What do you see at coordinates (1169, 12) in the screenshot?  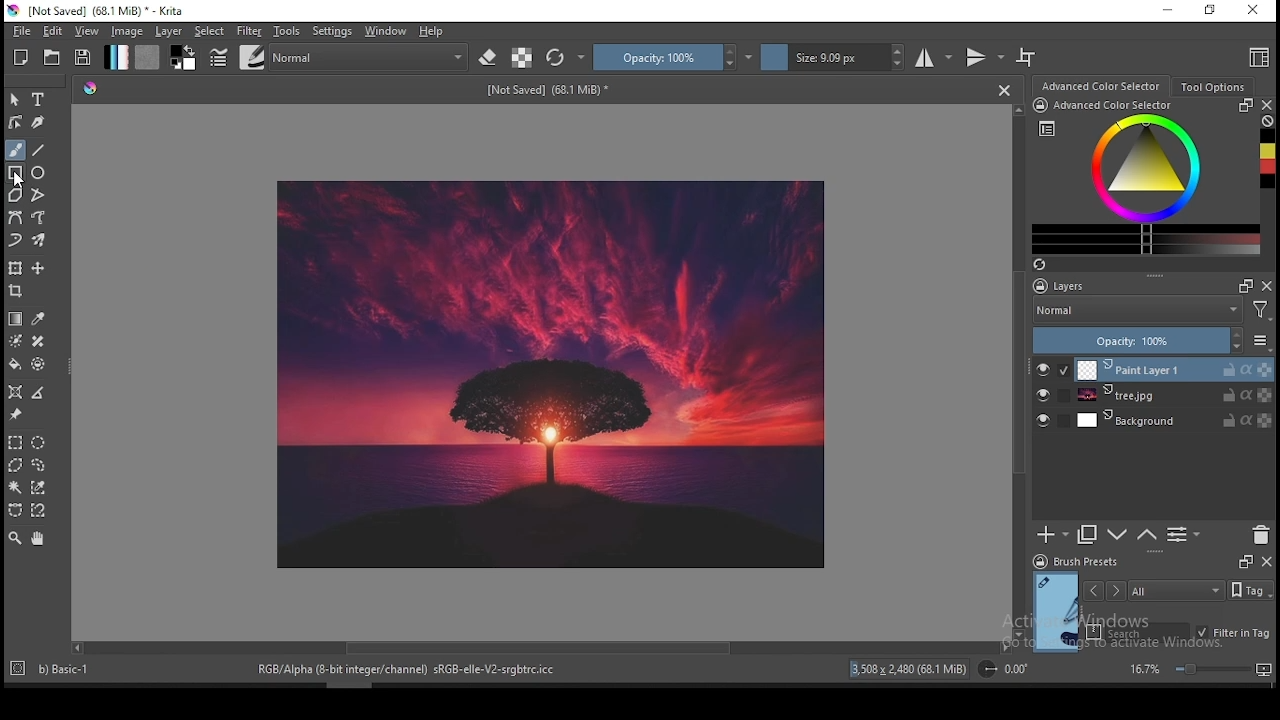 I see `minimize` at bounding box center [1169, 12].